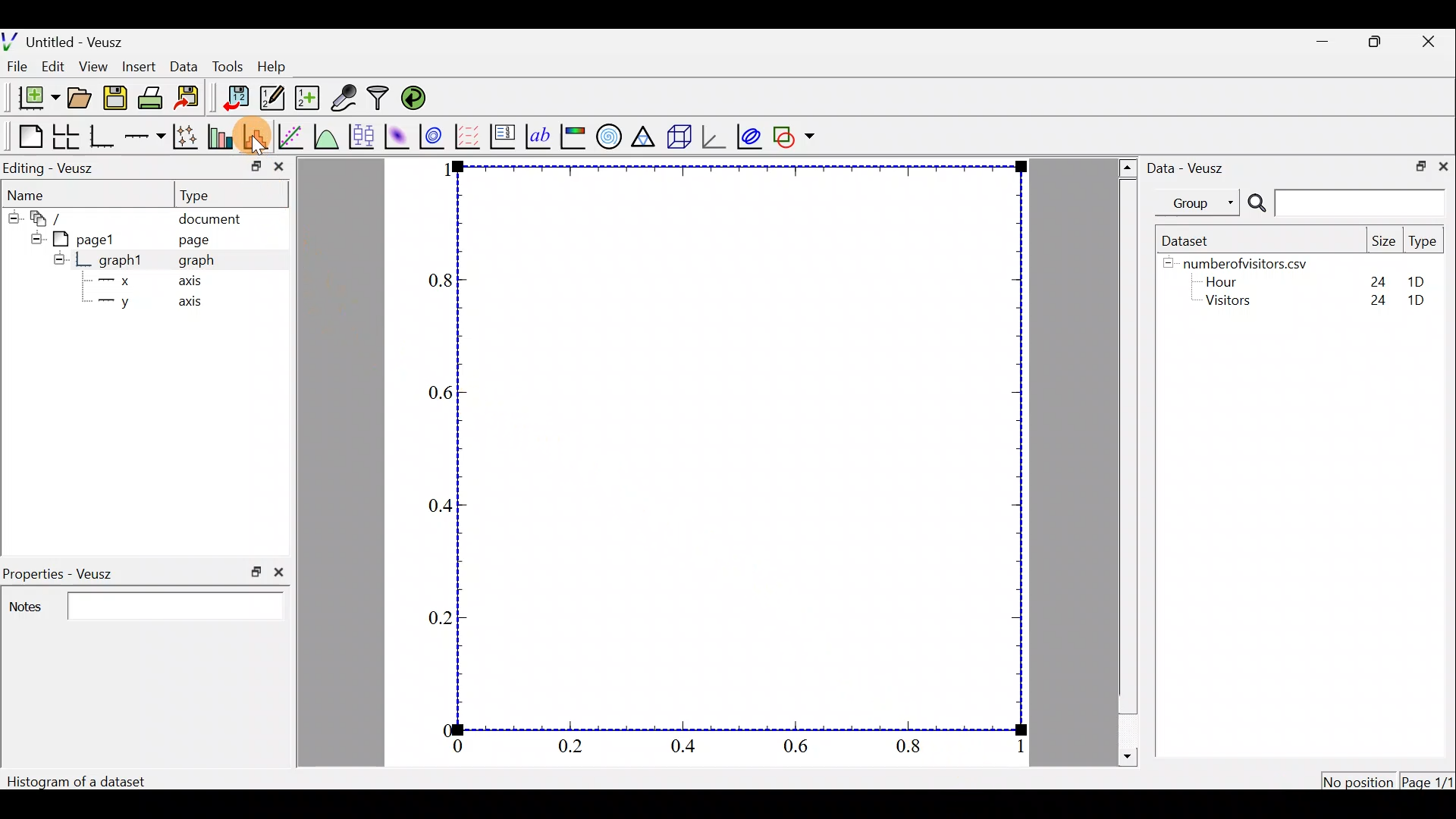 This screenshot has width=1456, height=819. Describe the element at coordinates (1018, 747) in the screenshot. I see `1` at that location.